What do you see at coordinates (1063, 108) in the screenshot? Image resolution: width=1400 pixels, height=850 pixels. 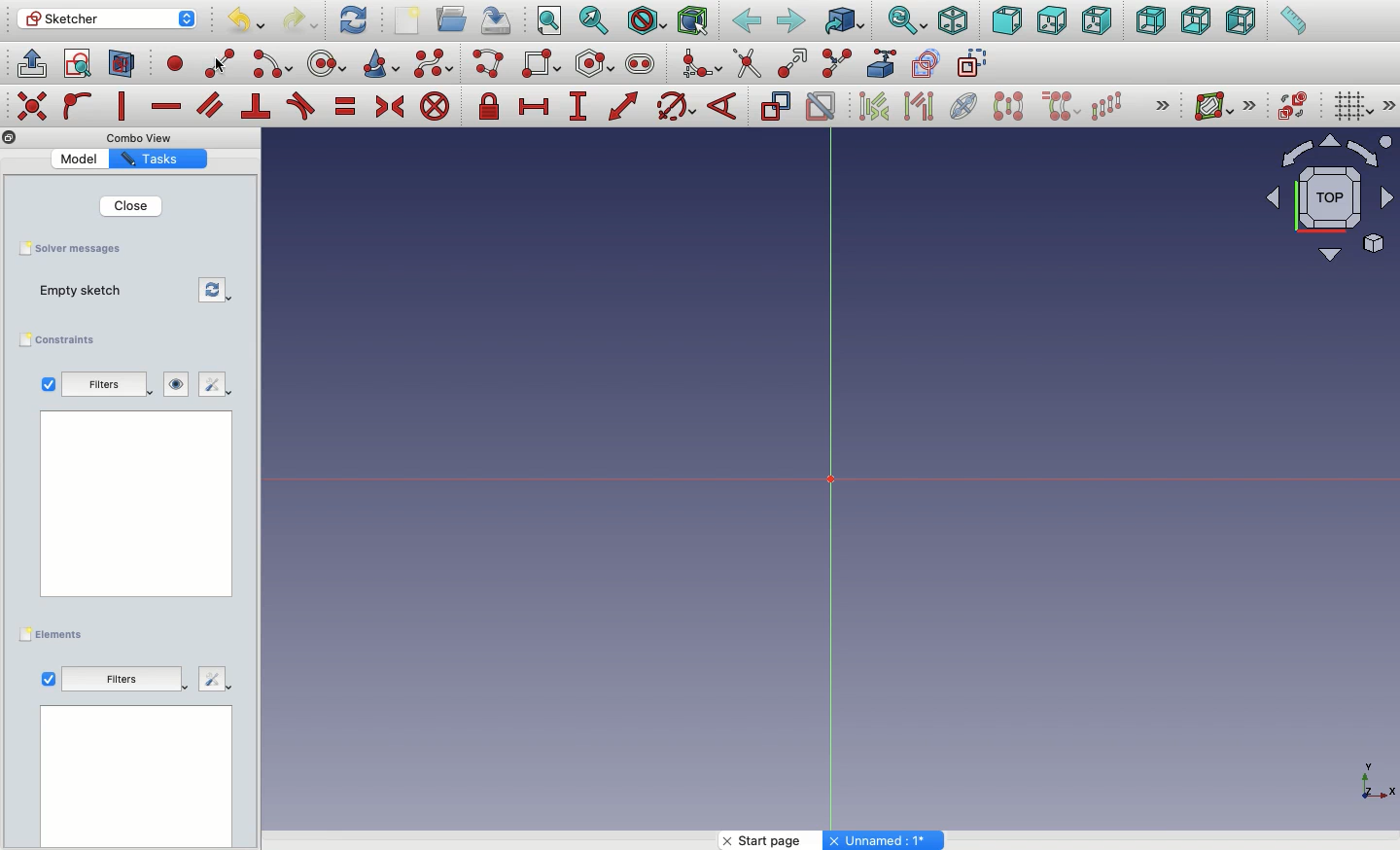 I see `Clone` at bounding box center [1063, 108].